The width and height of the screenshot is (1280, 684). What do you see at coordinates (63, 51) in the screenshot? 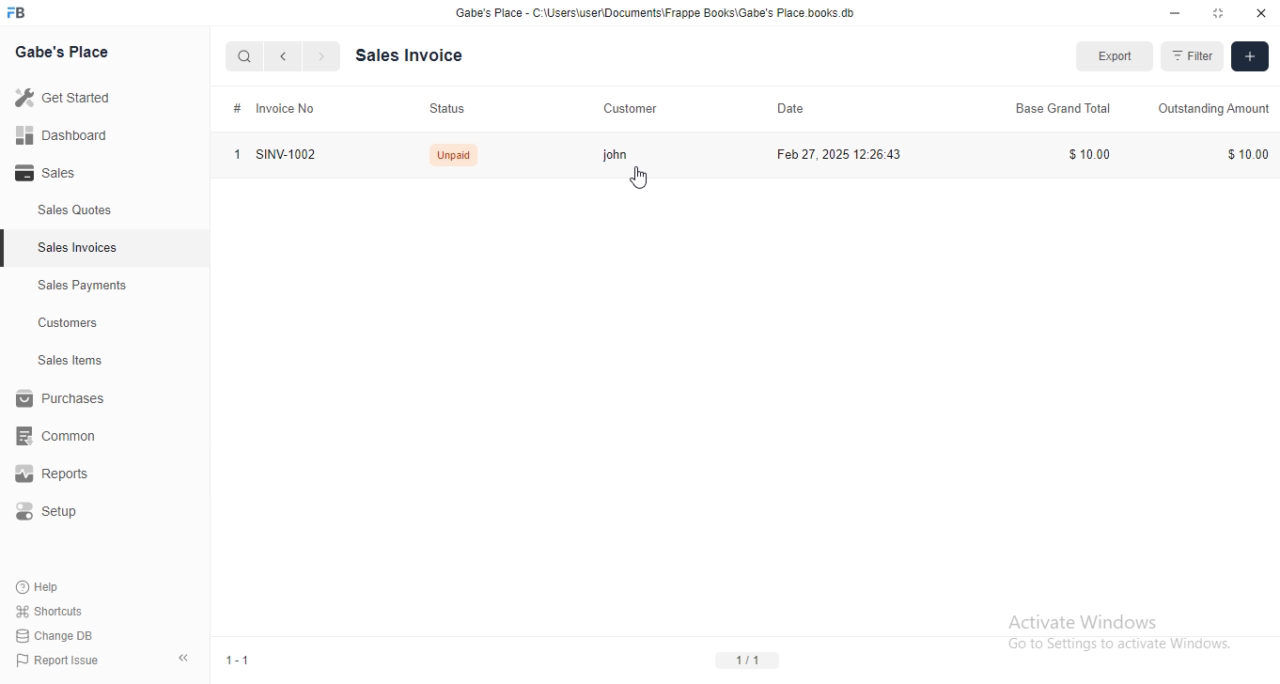
I see `gabe's place` at bounding box center [63, 51].